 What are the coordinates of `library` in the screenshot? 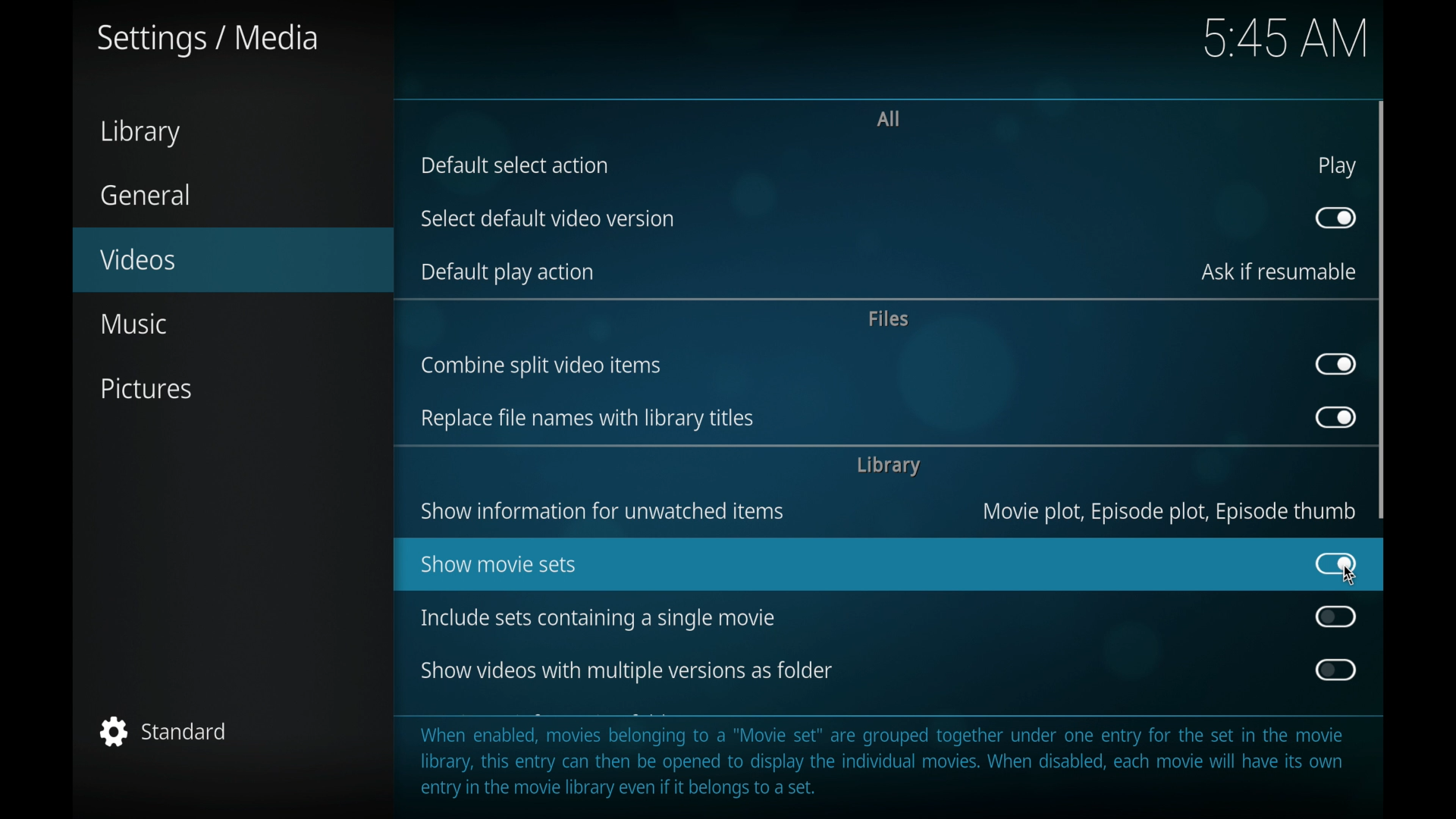 It's located at (140, 133).